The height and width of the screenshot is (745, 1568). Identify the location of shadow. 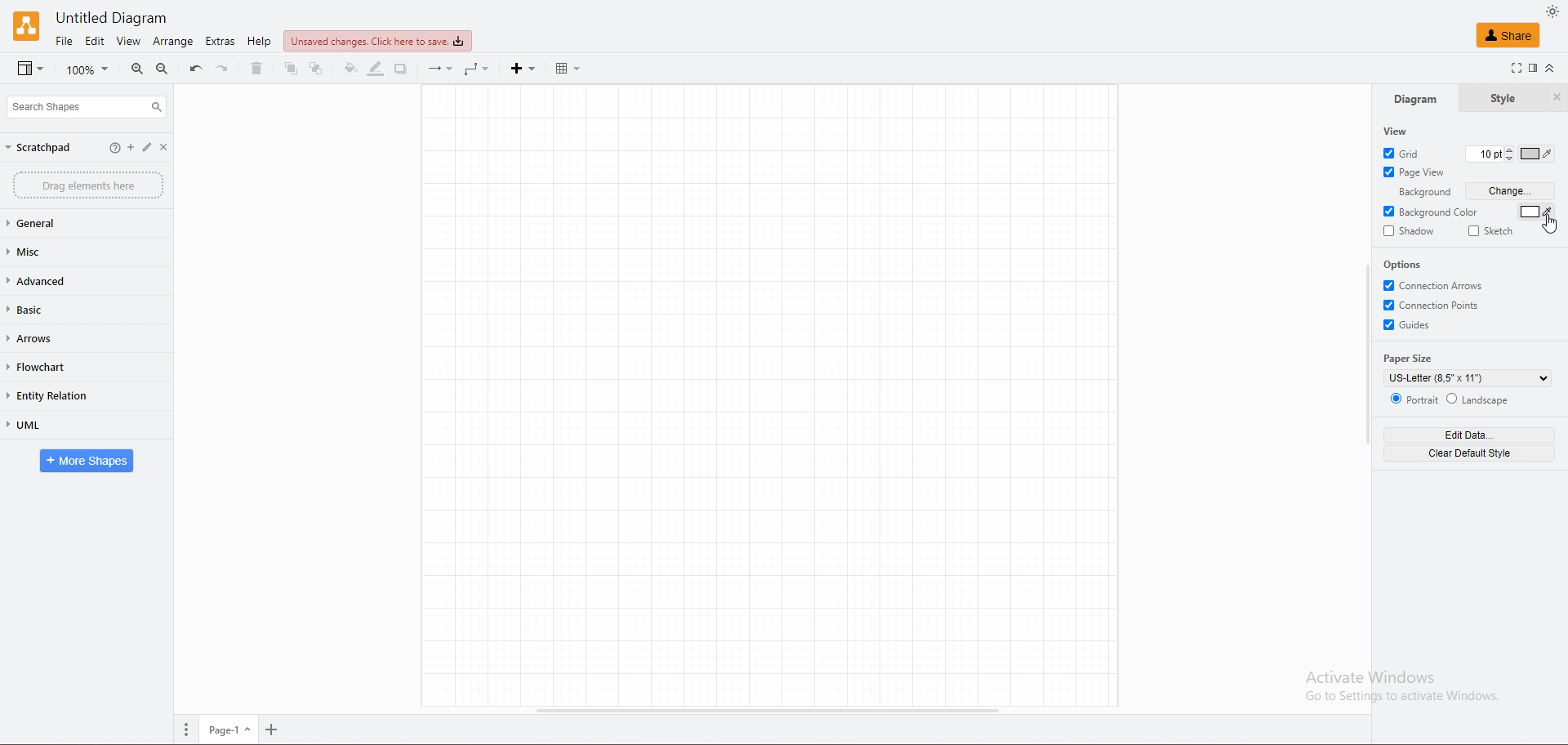
(403, 69).